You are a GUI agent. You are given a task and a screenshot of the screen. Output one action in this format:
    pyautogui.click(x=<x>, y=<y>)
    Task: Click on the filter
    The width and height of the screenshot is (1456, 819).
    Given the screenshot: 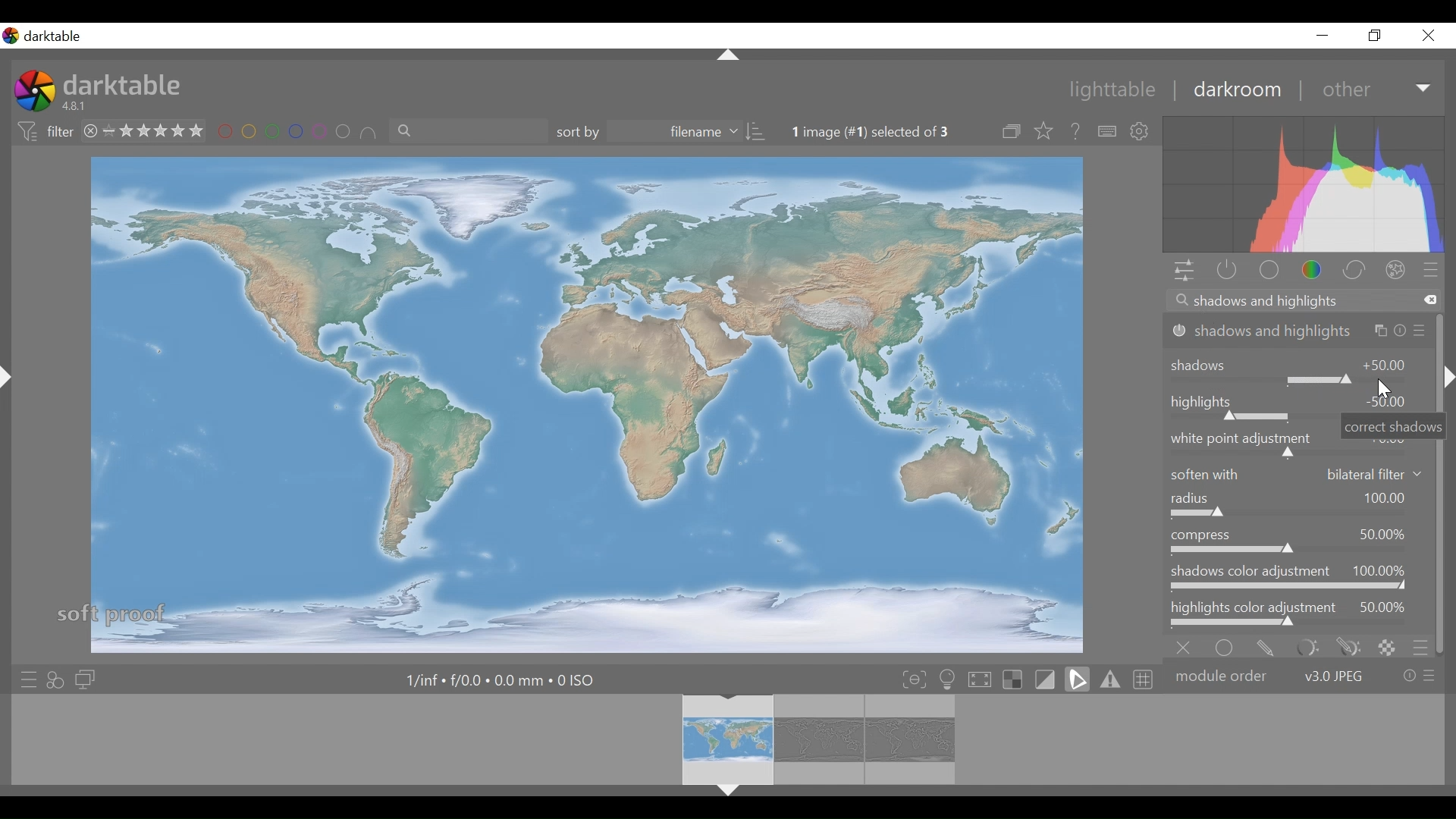 What is the action you would take?
    pyautogui.click(x=42, y=132)
    